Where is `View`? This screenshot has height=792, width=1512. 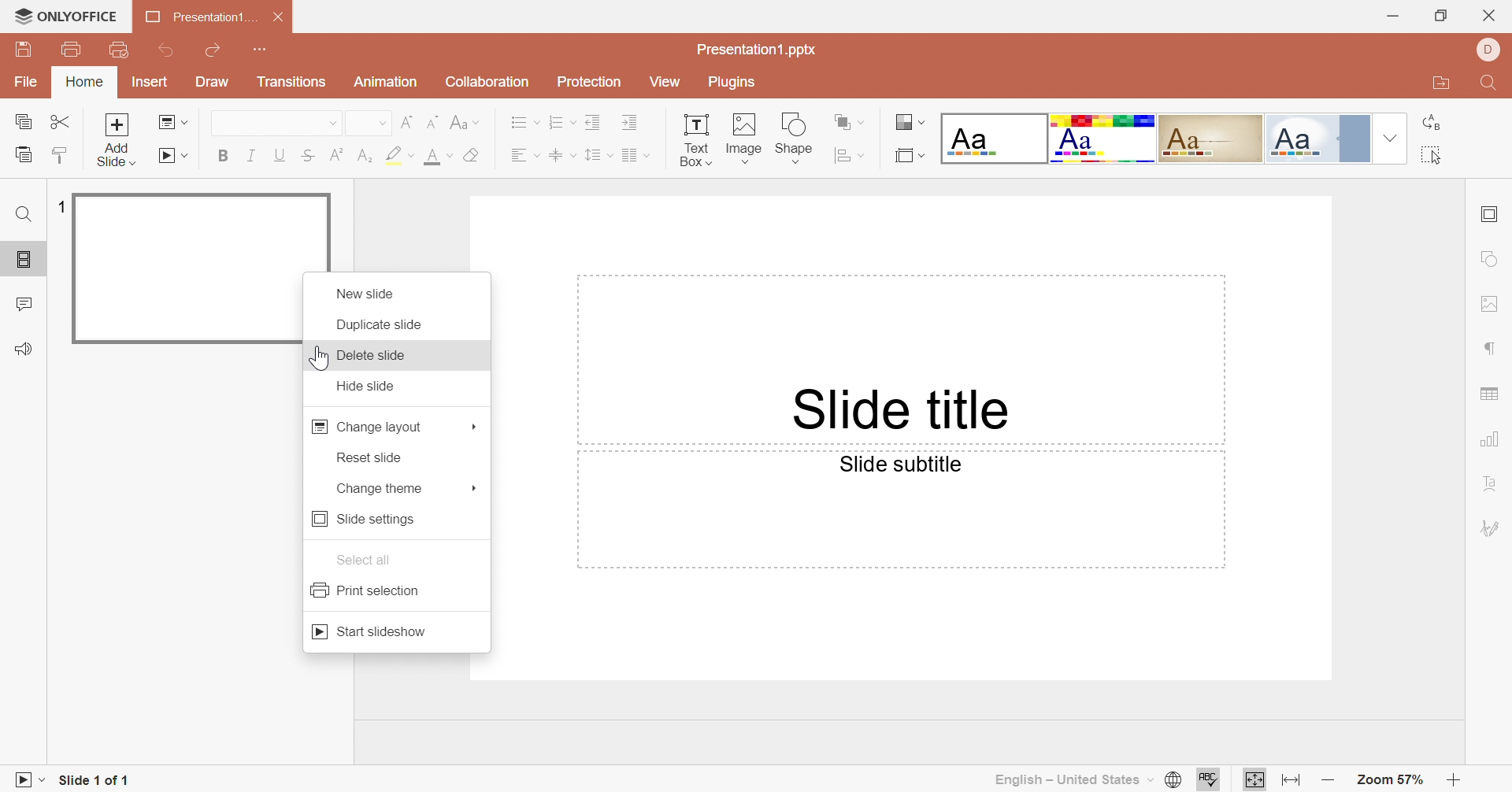 View is located at coordinates (666, 82).